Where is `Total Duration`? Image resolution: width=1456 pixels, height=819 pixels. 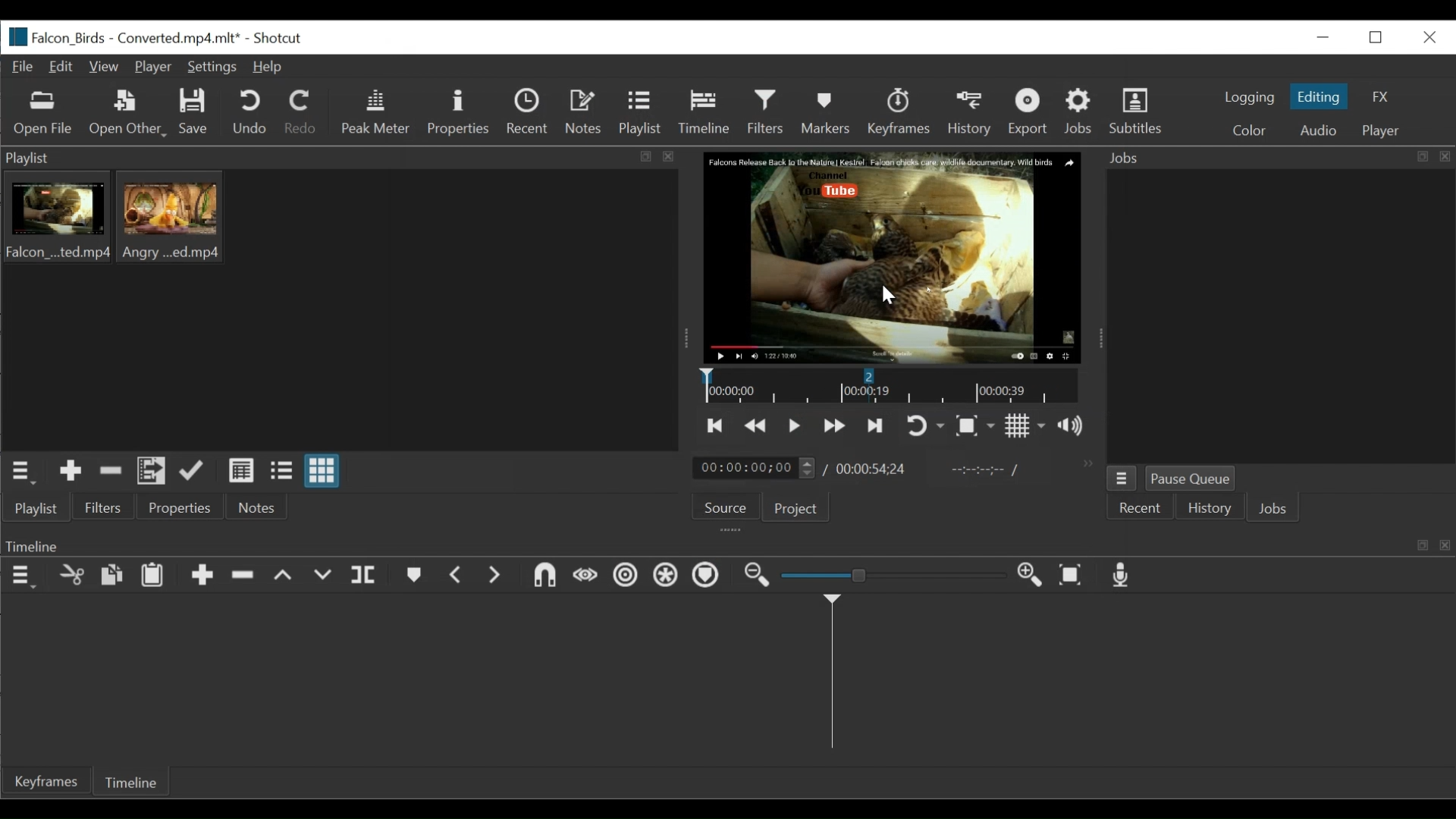 Total Duration is located at coordinates (872, 469).